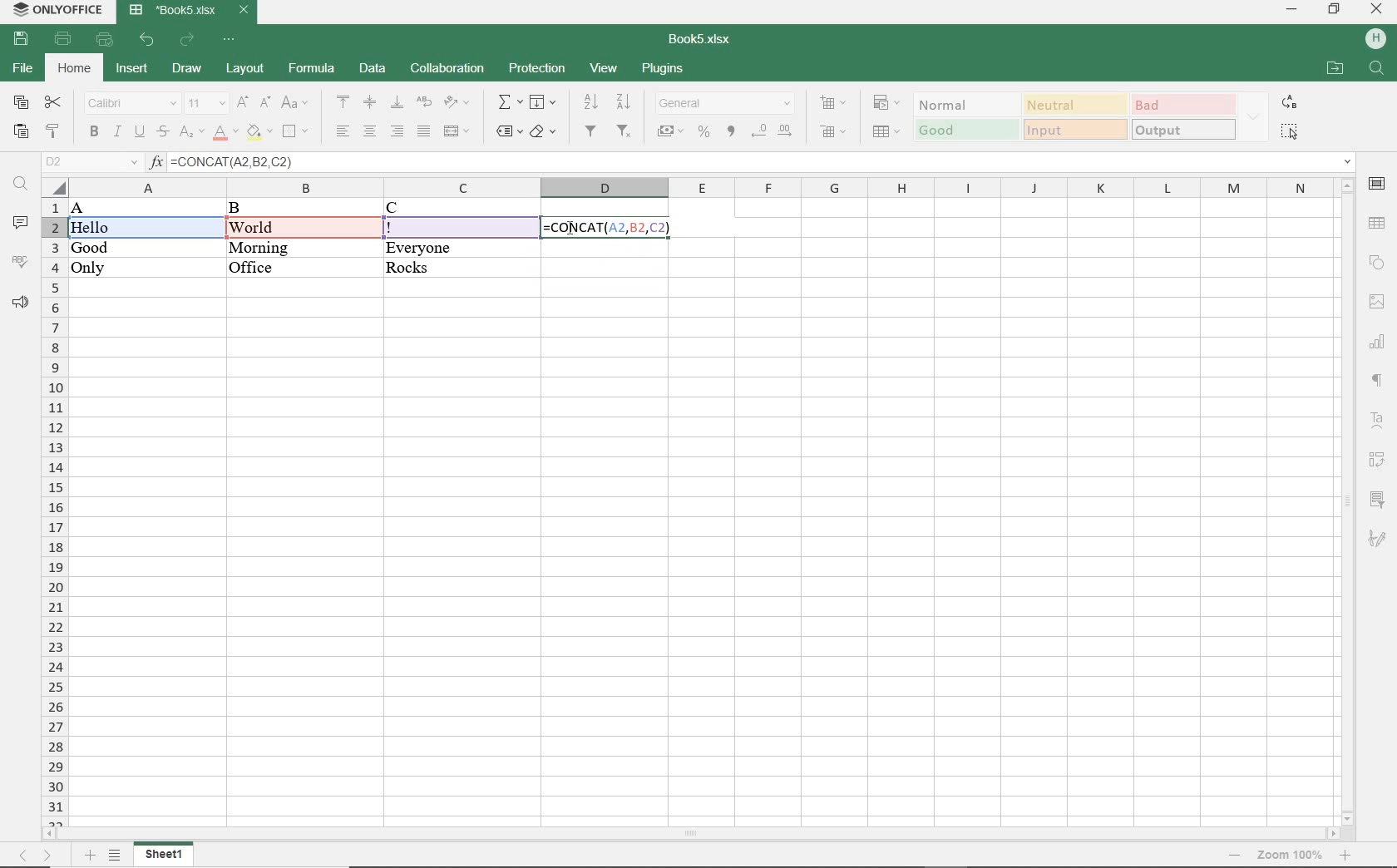 The width and height of the screenshot is (1397, 868). I want to click on PLUGINS, so click(662, 70).